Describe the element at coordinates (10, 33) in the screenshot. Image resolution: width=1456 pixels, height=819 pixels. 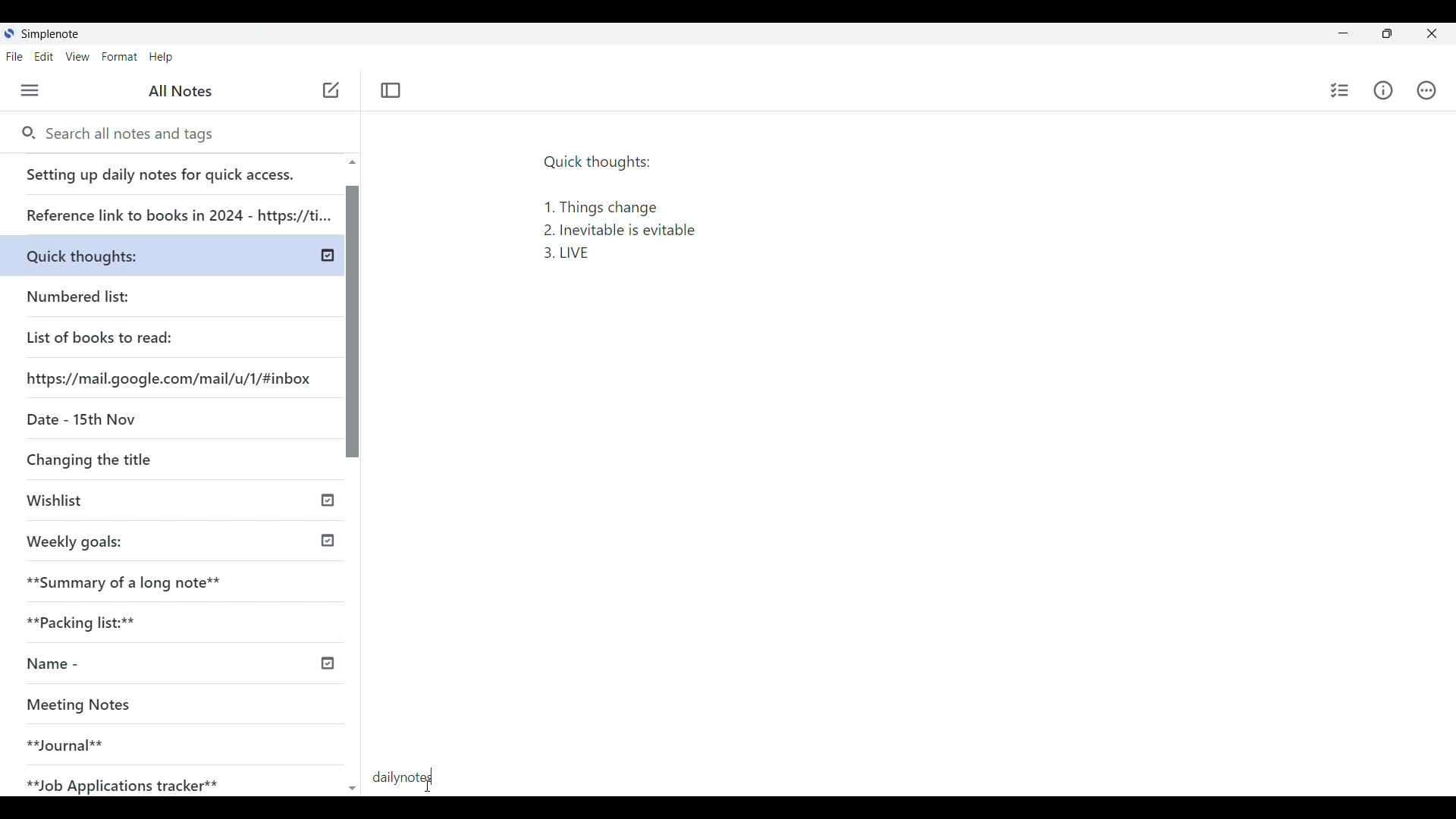
I see `Software logo` at that location.